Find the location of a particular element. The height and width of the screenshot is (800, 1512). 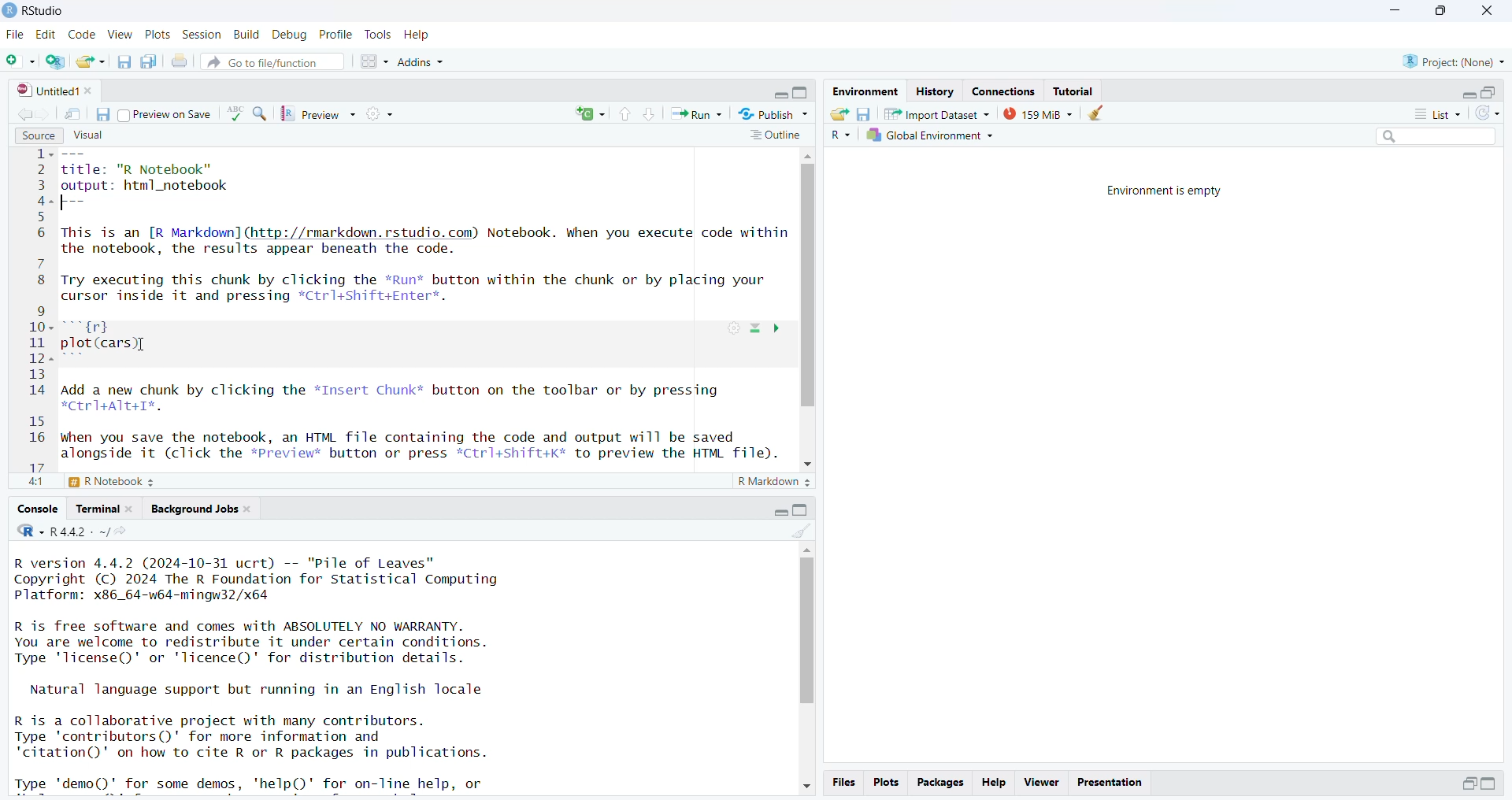

load workspace is located at coordinates (839, 113).